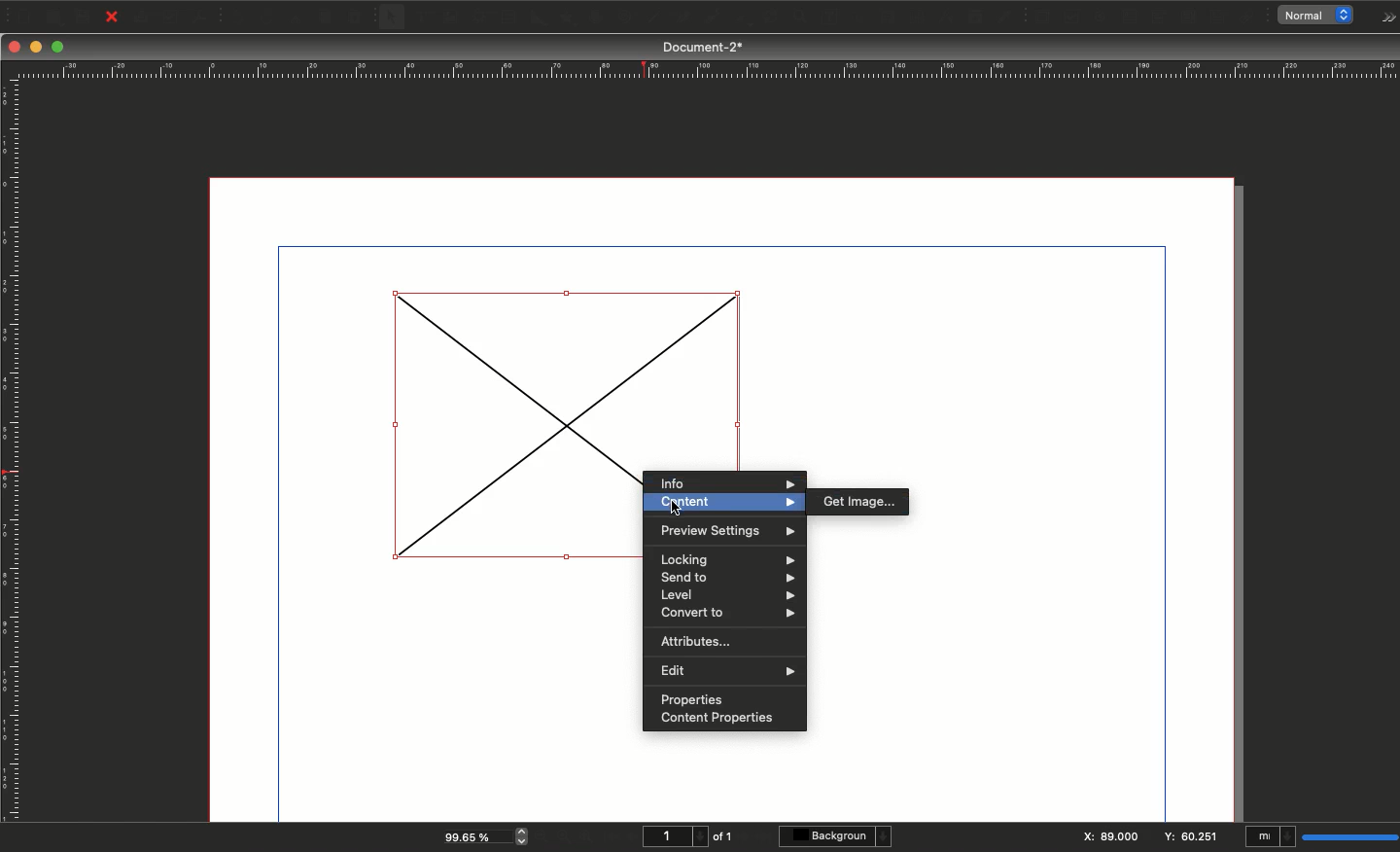 Image resolution: width=1400 pixels, height=852 pixels. I want to click on Ruler, so click(705, 70).